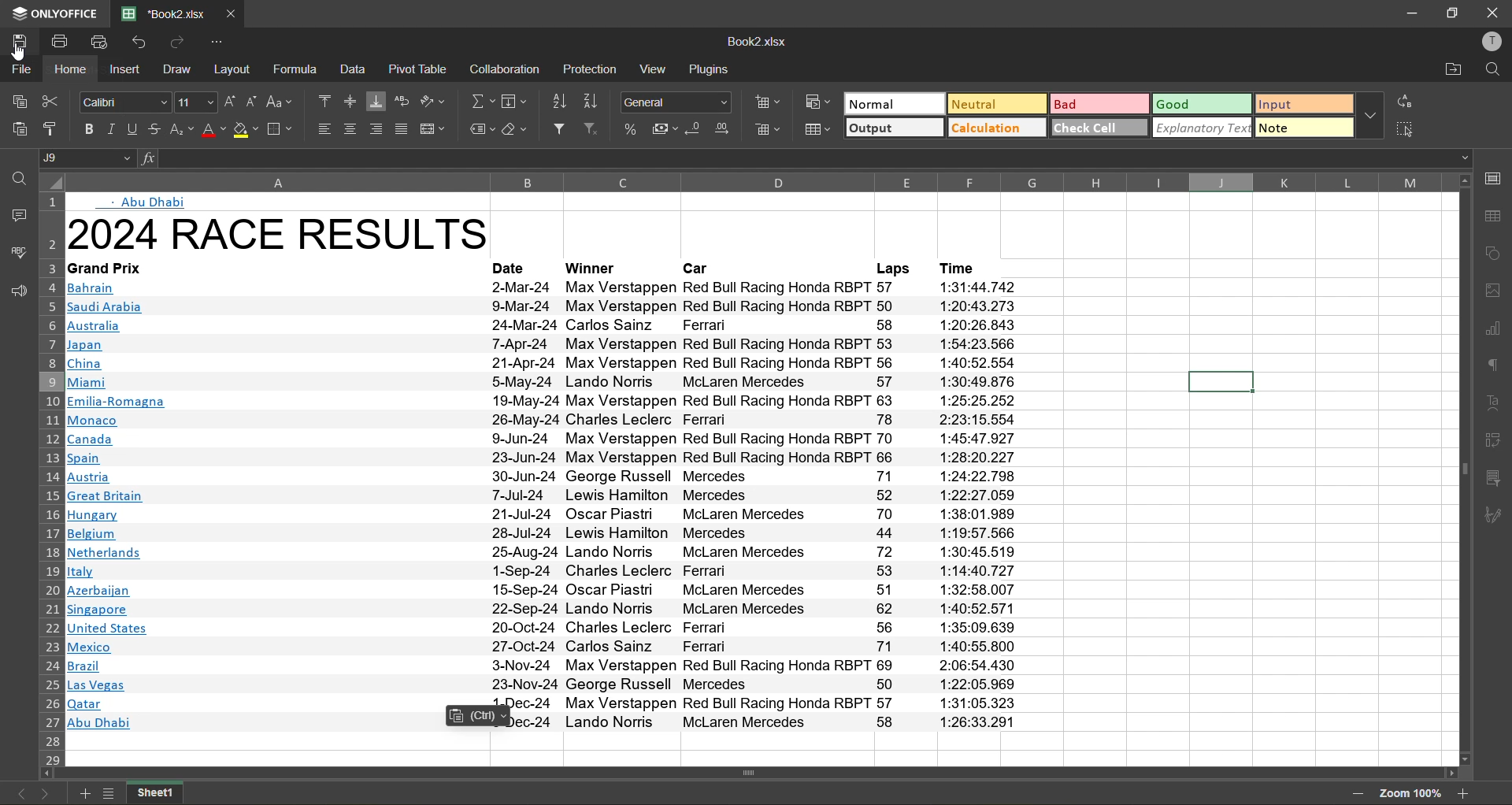 The height and width of the screenshot is (805, 1512). I want to click on move up, so click(1463, 181).